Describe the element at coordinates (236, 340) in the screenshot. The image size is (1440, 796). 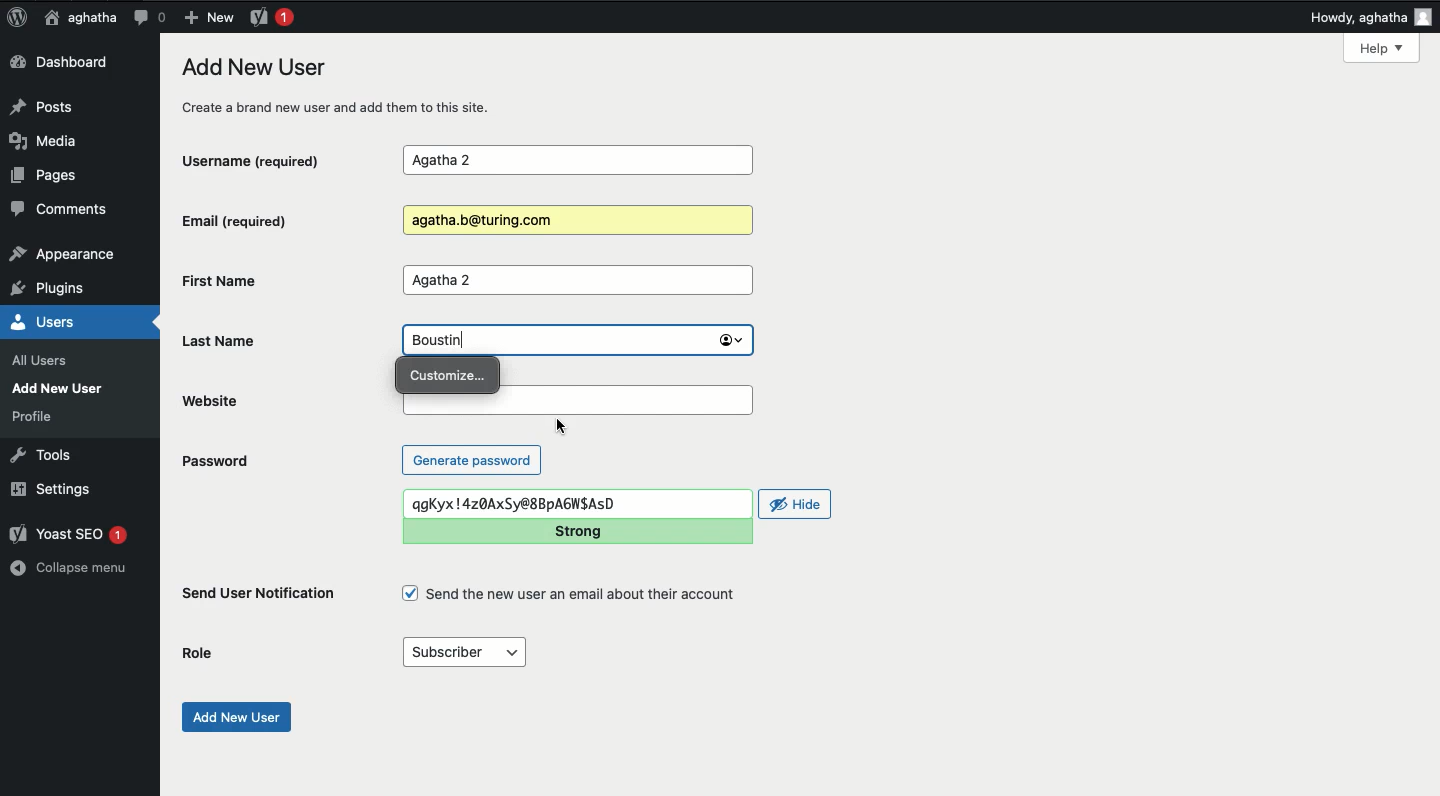
I see `Last name` at that location.